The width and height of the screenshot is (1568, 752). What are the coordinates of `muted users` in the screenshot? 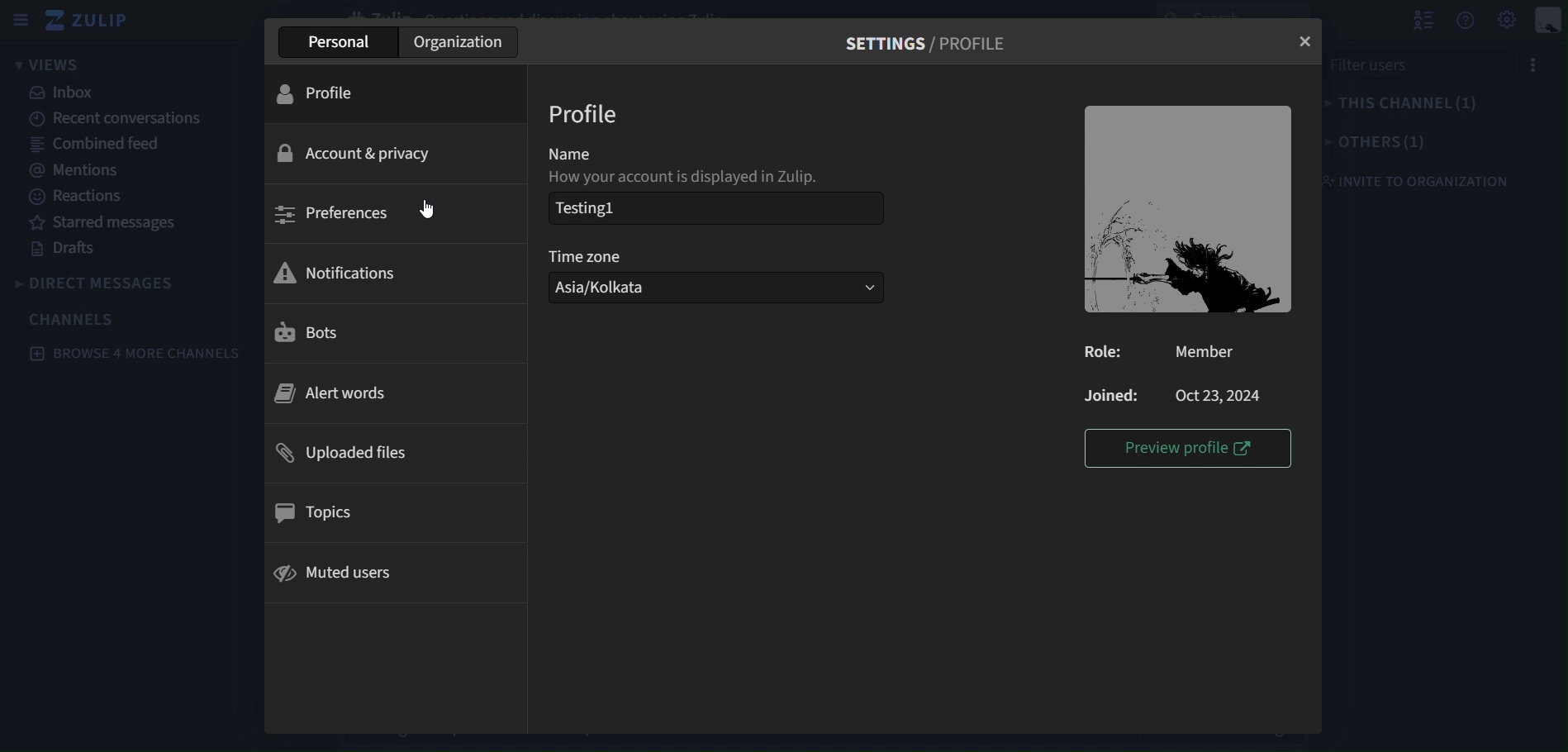 It's located at (390, 573).